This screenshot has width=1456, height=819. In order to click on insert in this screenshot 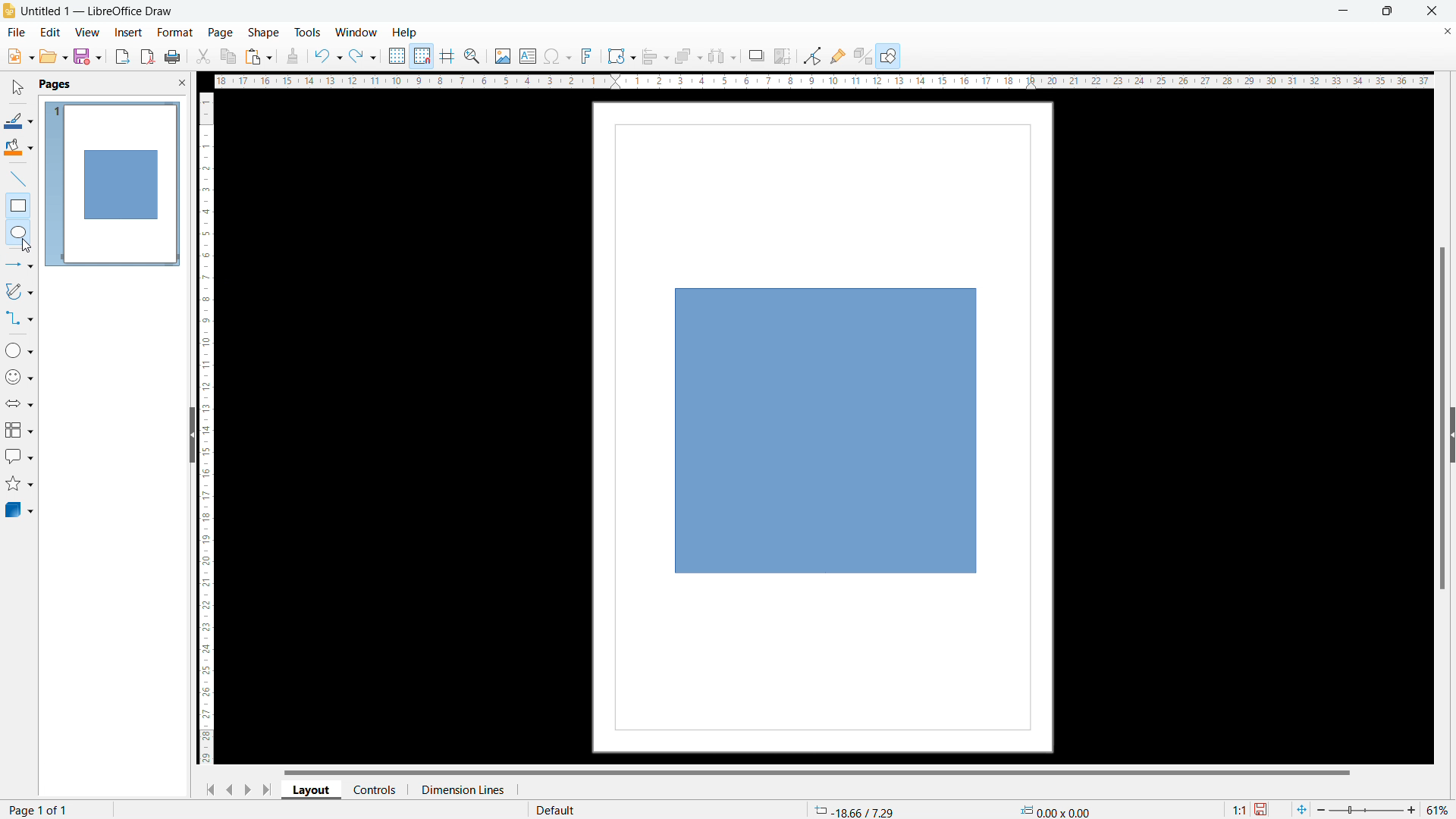, I will do `click(129, 33)`.